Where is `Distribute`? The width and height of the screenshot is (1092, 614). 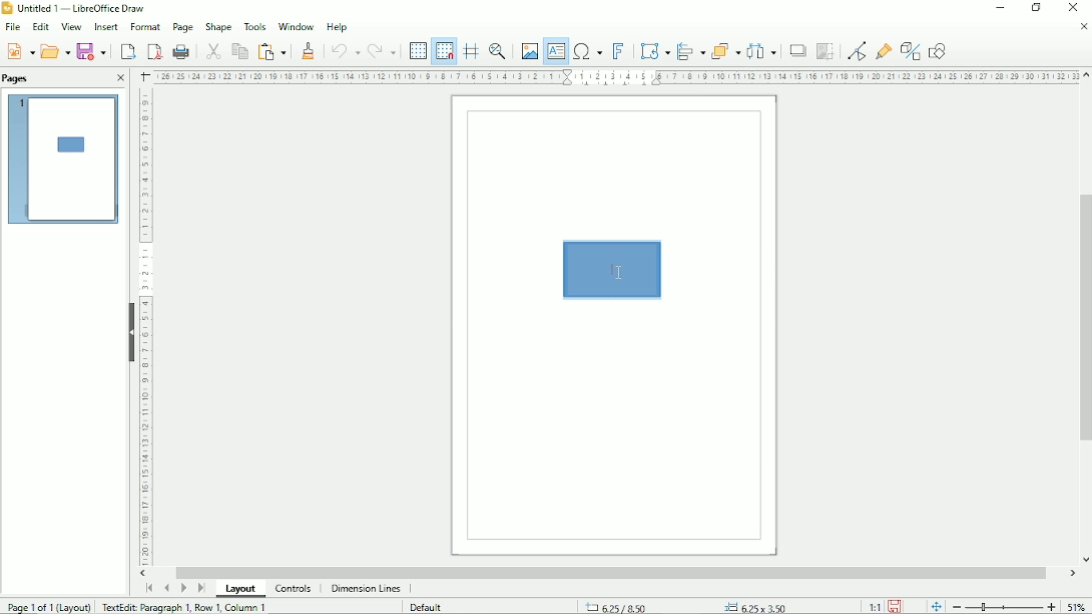
Distribute is located at coordinates (763, 51).